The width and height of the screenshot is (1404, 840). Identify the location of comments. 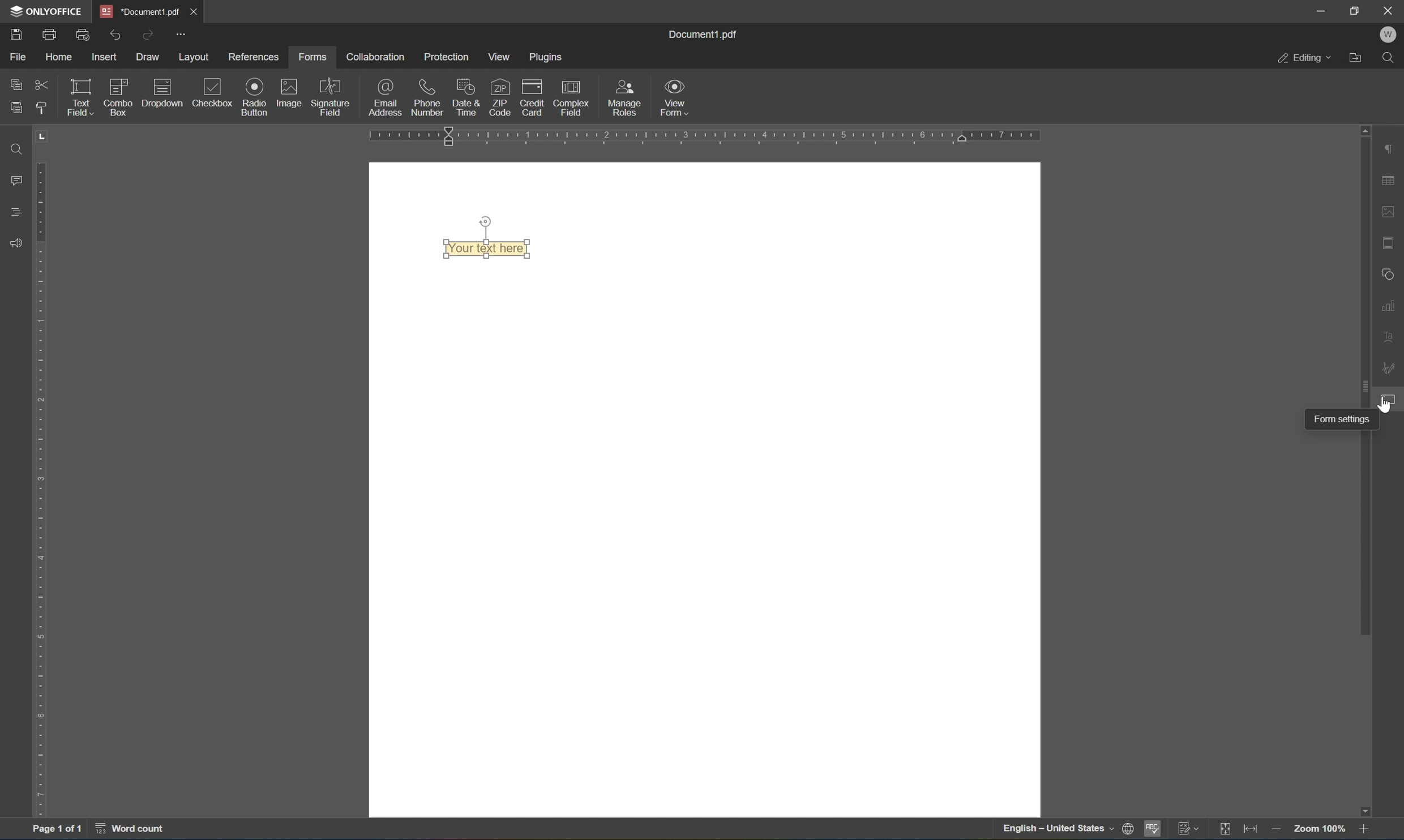
(13, 182).